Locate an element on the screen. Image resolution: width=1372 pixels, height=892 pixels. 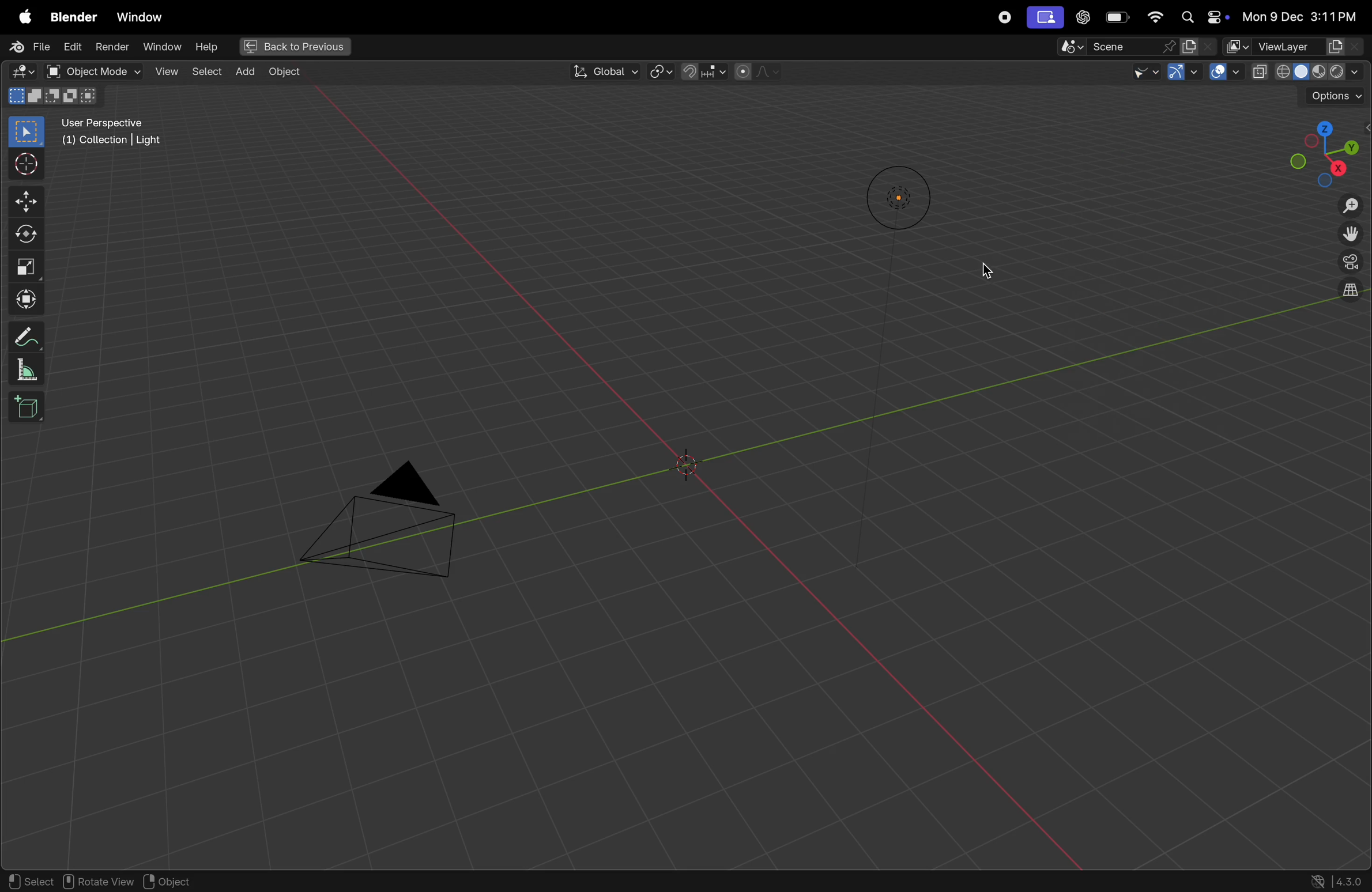
screen ui is located at coordinates (1044, 18).